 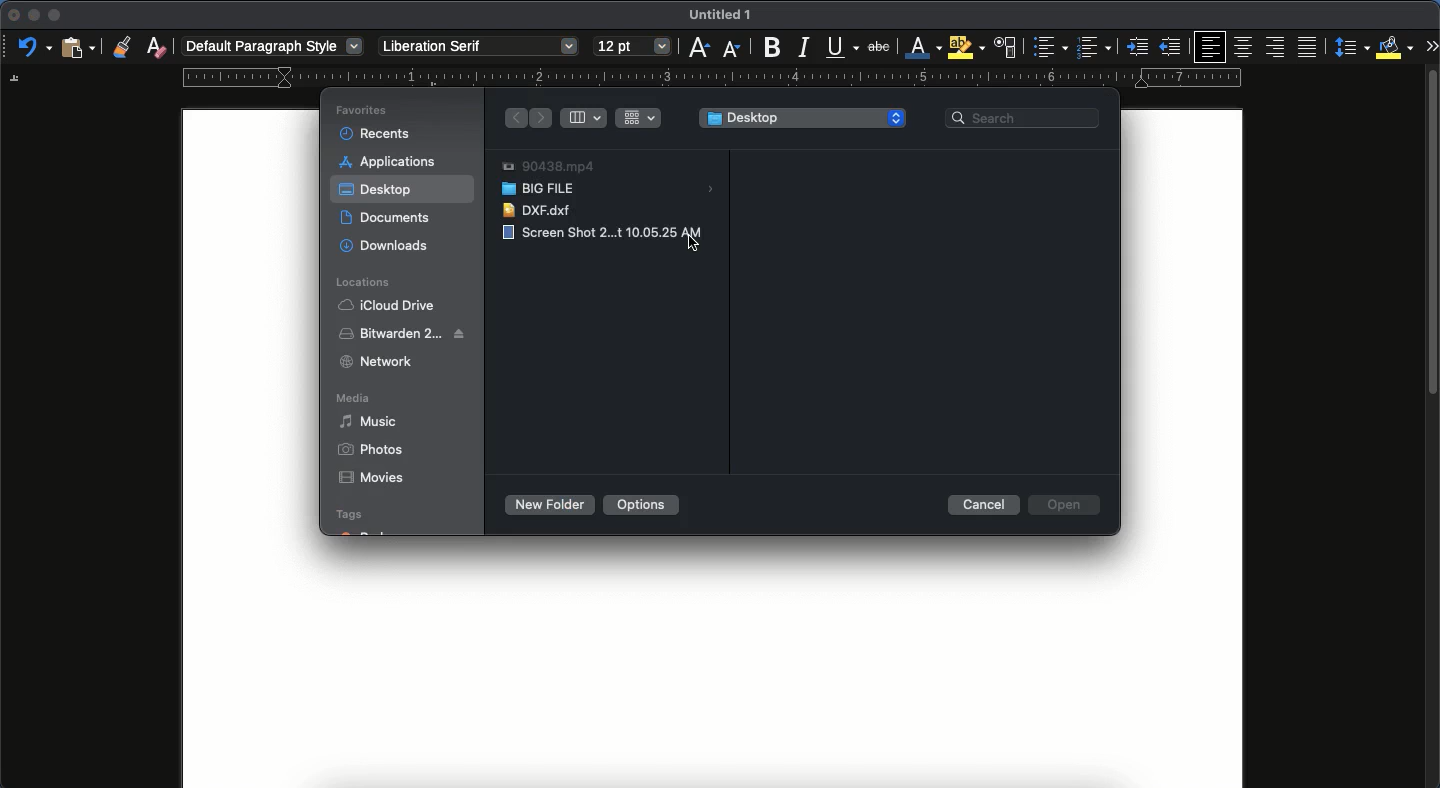 What do you see at coordinates (370, 479) in the screenshot?
I see `movies` at bounding box center [370, 479].